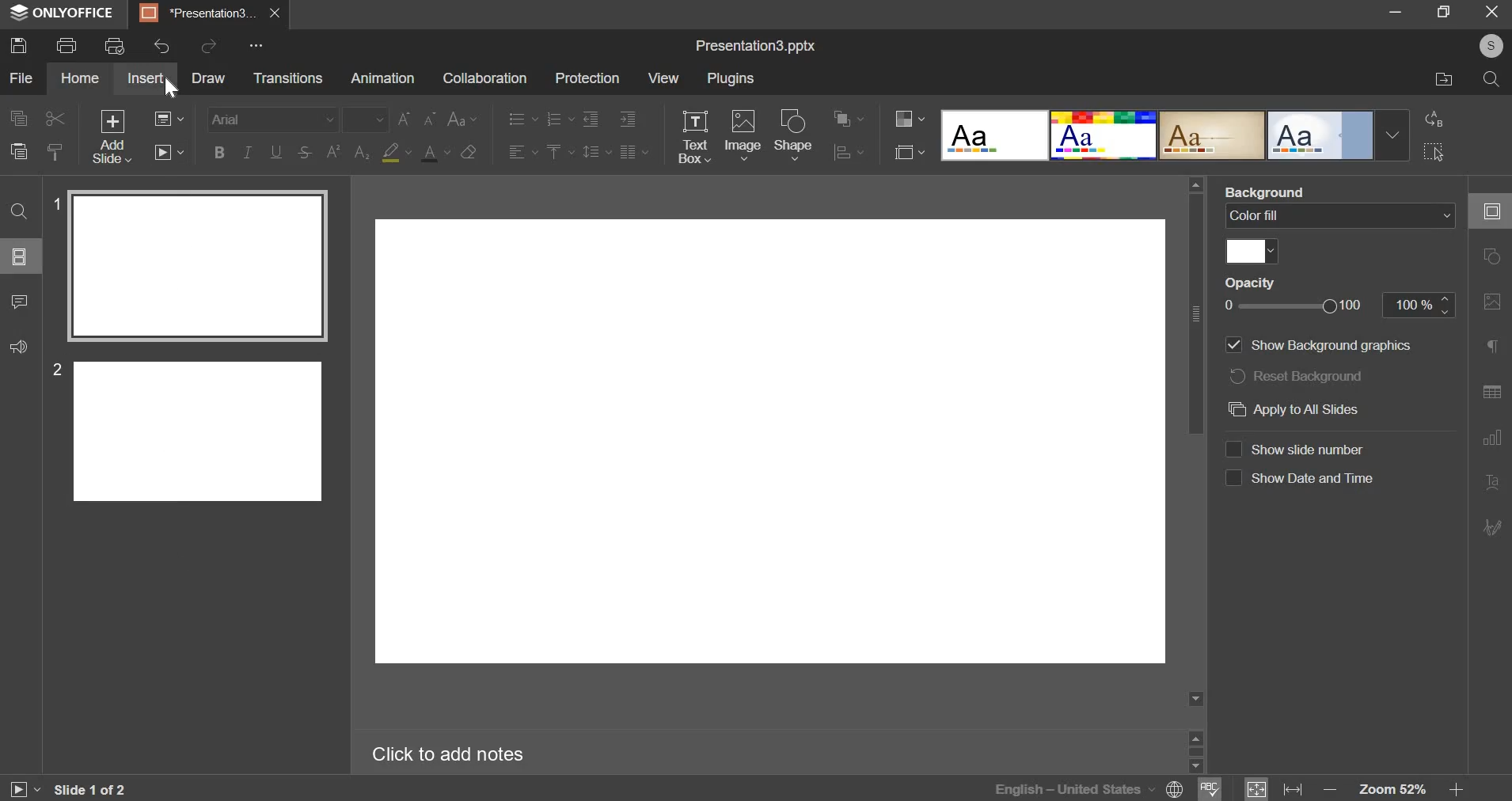  What do you see at coordinates (275, 13) in the screenshot?
I see `close` at bounding box center [275, 13].